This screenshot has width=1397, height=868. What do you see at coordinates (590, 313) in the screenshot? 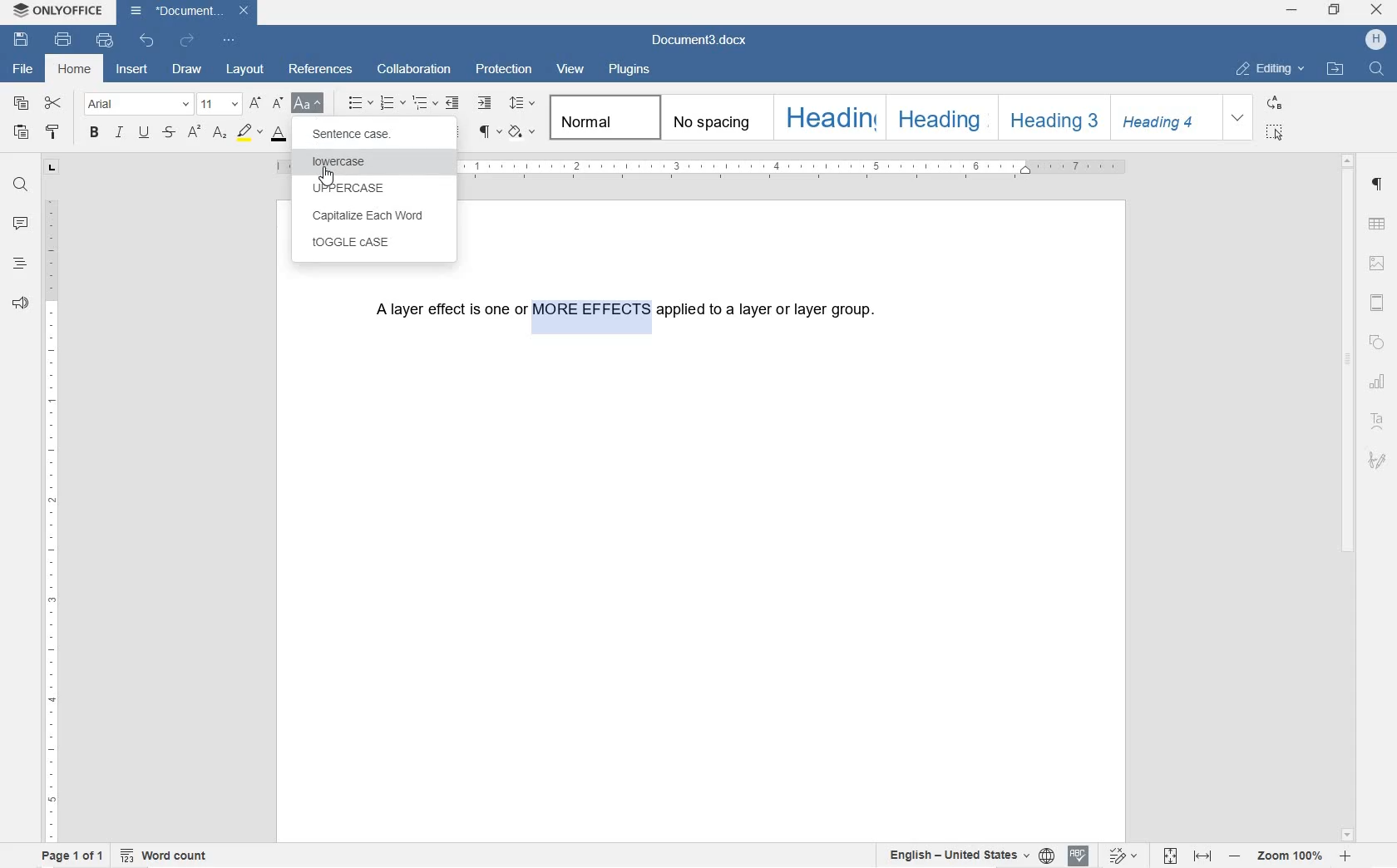
I see `TEXT HIGHLIGHTED` at bounding box center [590, 313].